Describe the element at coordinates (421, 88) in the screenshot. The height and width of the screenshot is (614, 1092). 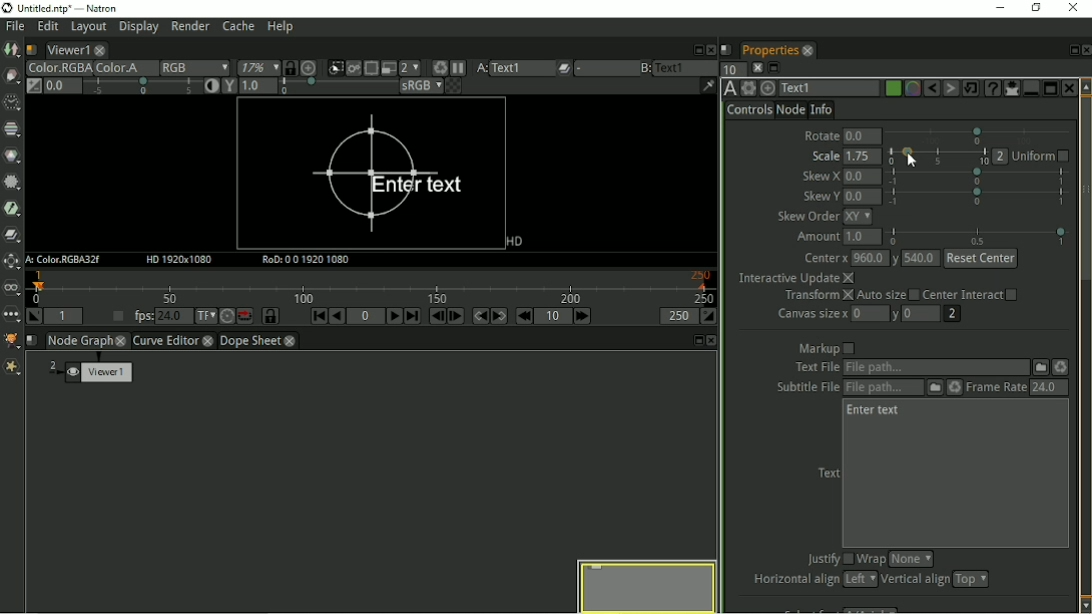
I see `sRGB` at that location.